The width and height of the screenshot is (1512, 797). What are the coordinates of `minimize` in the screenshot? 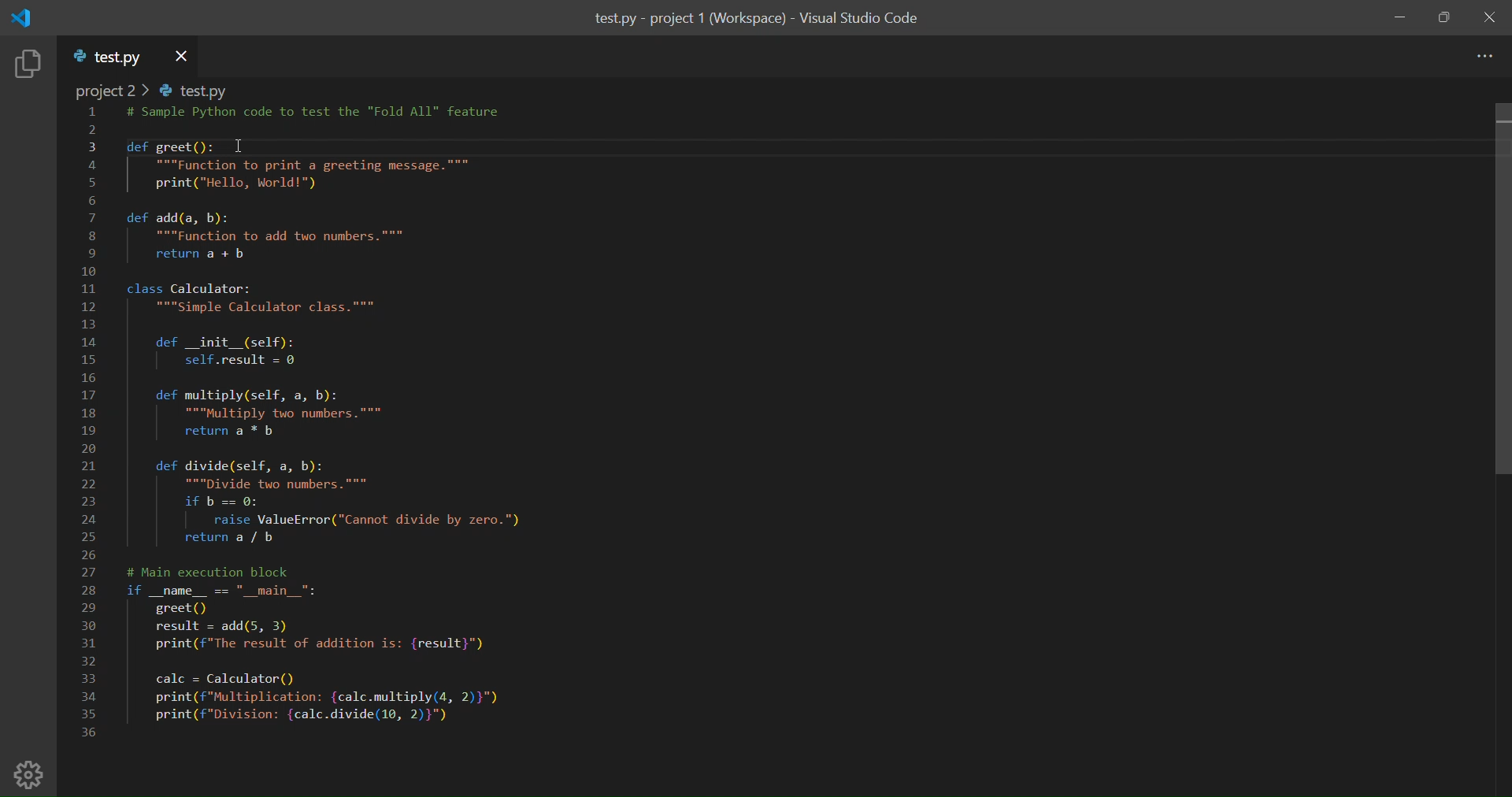 It's located at (1400, 19).